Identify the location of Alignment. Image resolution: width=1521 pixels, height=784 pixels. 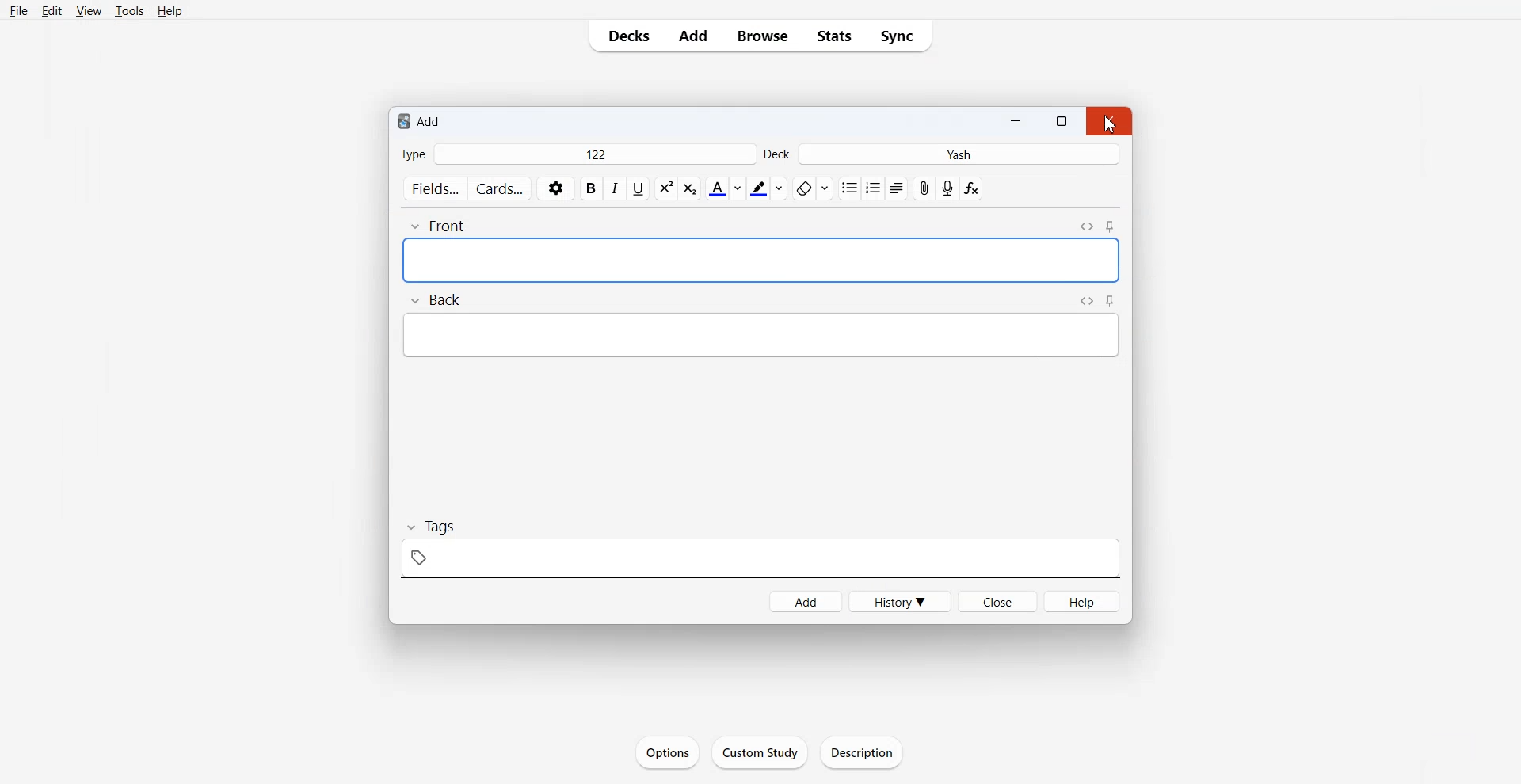
(897, 188).